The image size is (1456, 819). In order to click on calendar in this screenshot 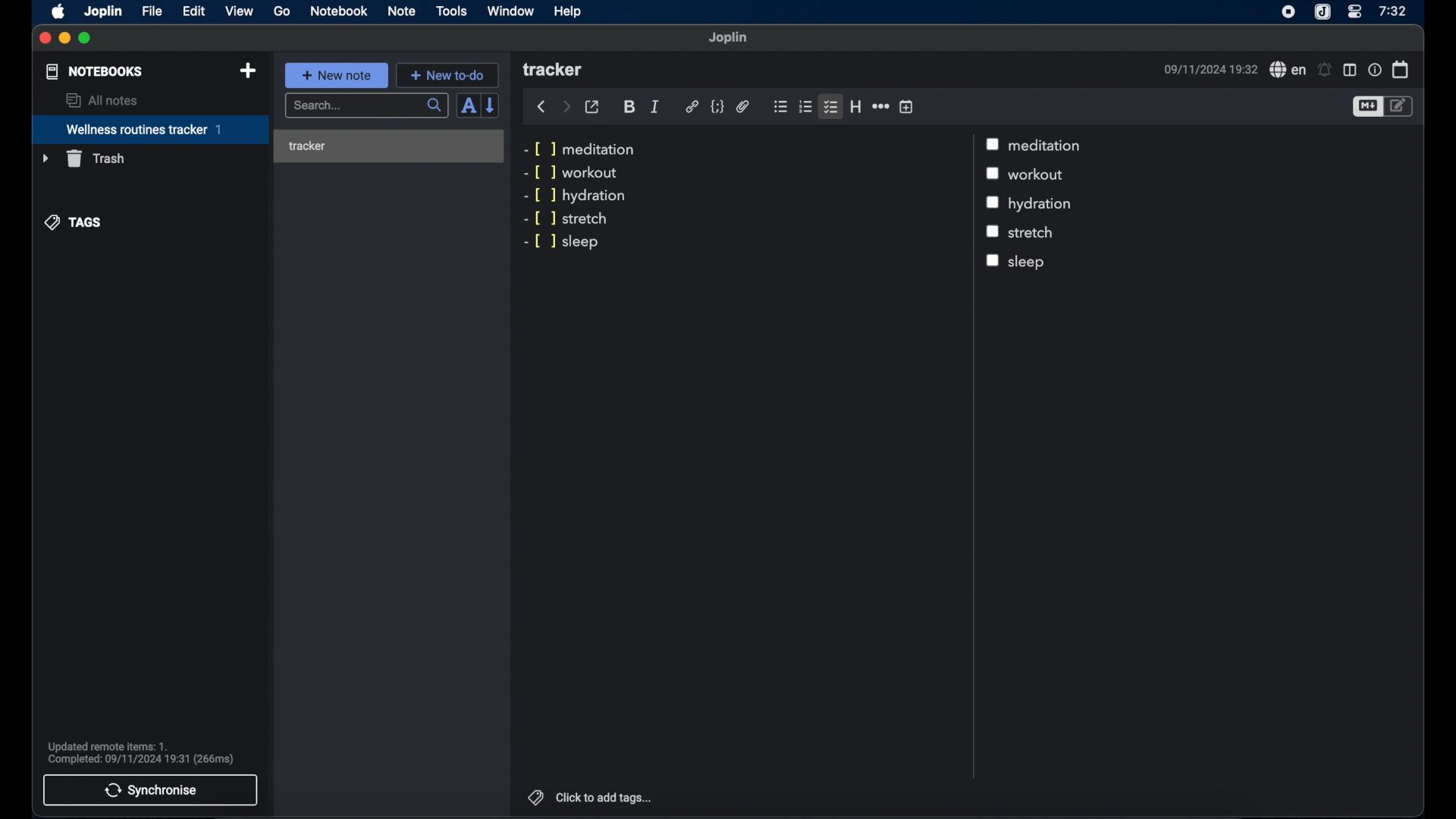, I will do `click(1401, 69)`.